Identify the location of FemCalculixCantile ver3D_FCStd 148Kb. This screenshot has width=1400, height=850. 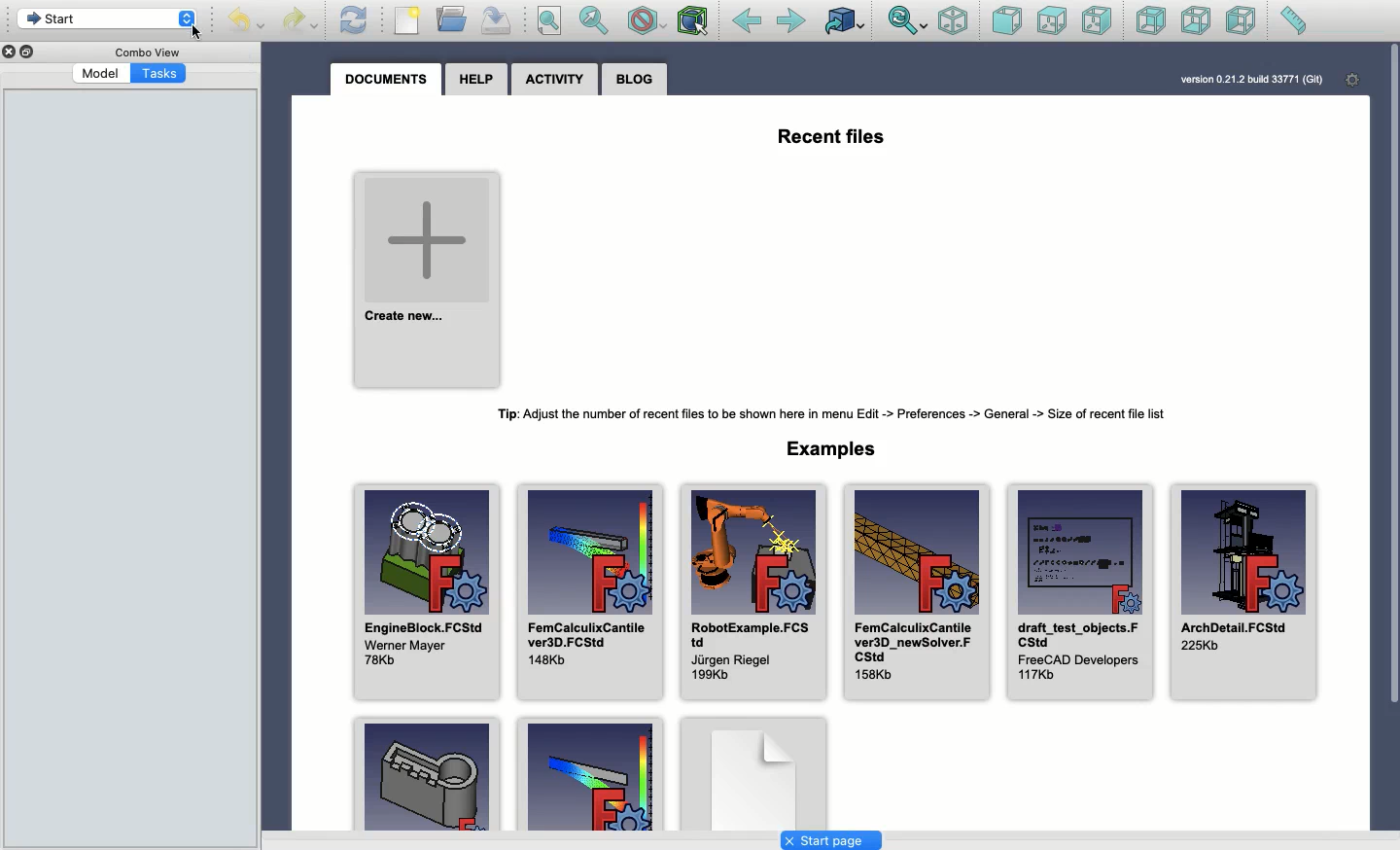
(588, 592).